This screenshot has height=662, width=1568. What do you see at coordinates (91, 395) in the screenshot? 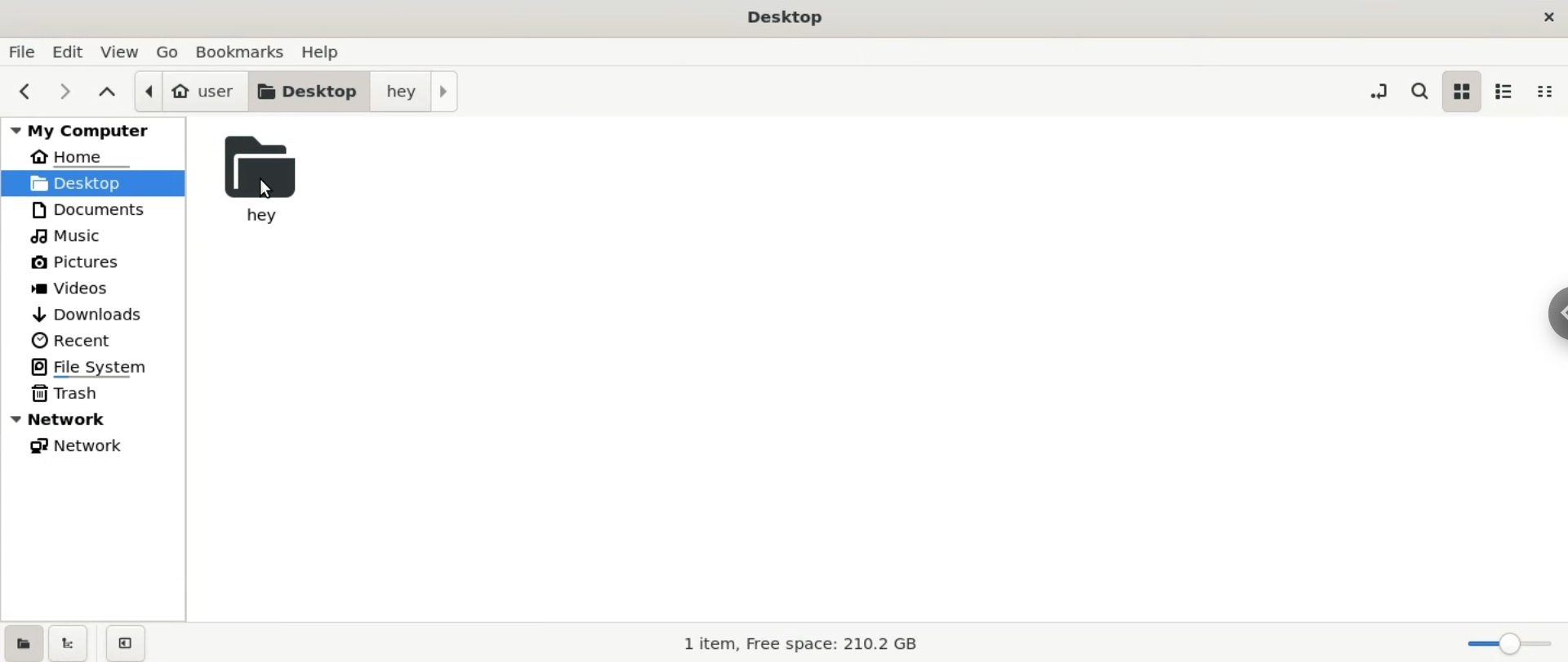
I see `trash` at bounding box center [91, 395].